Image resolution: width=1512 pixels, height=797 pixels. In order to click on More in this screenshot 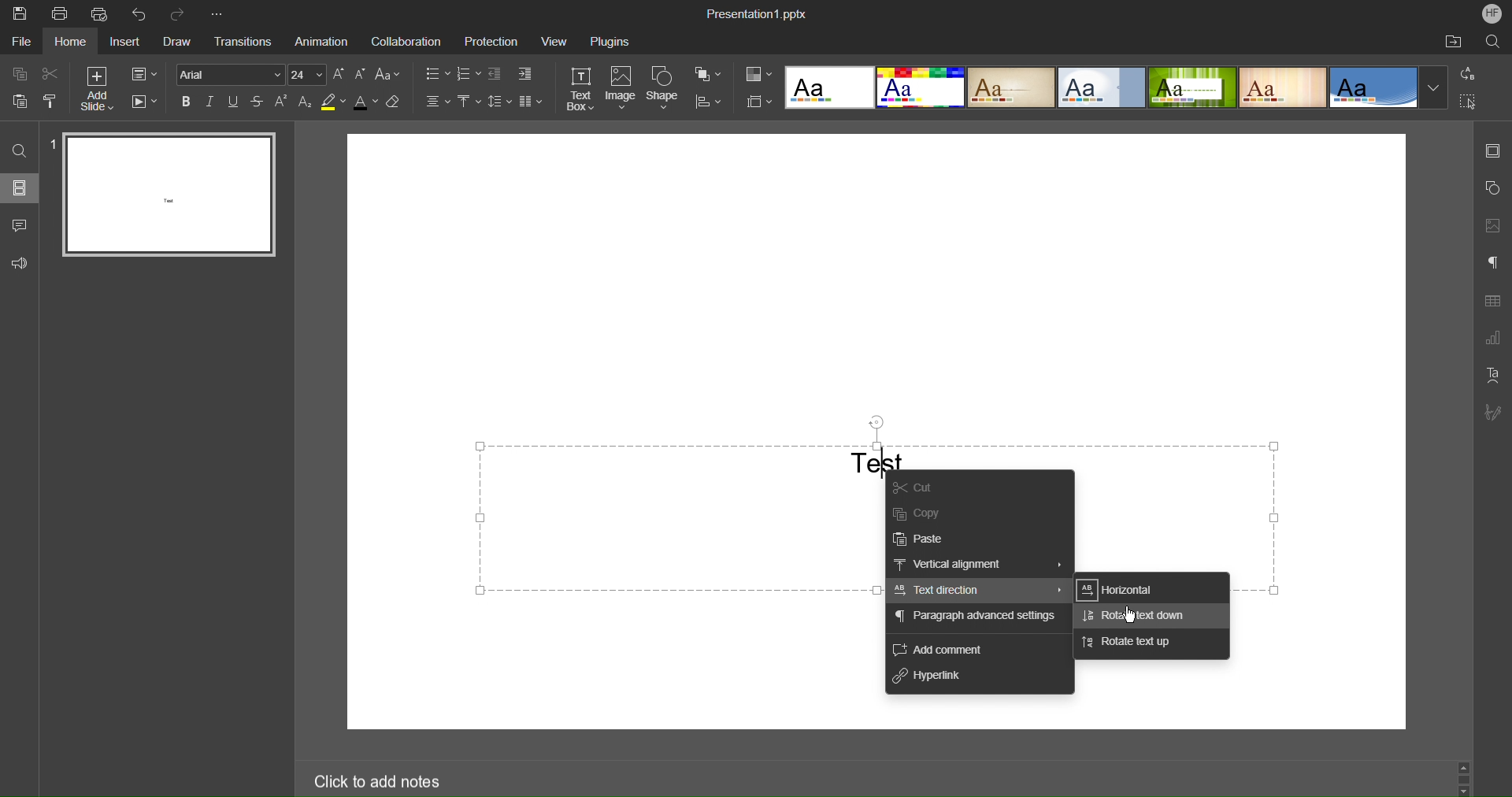, I will do `click(221, 13)`.